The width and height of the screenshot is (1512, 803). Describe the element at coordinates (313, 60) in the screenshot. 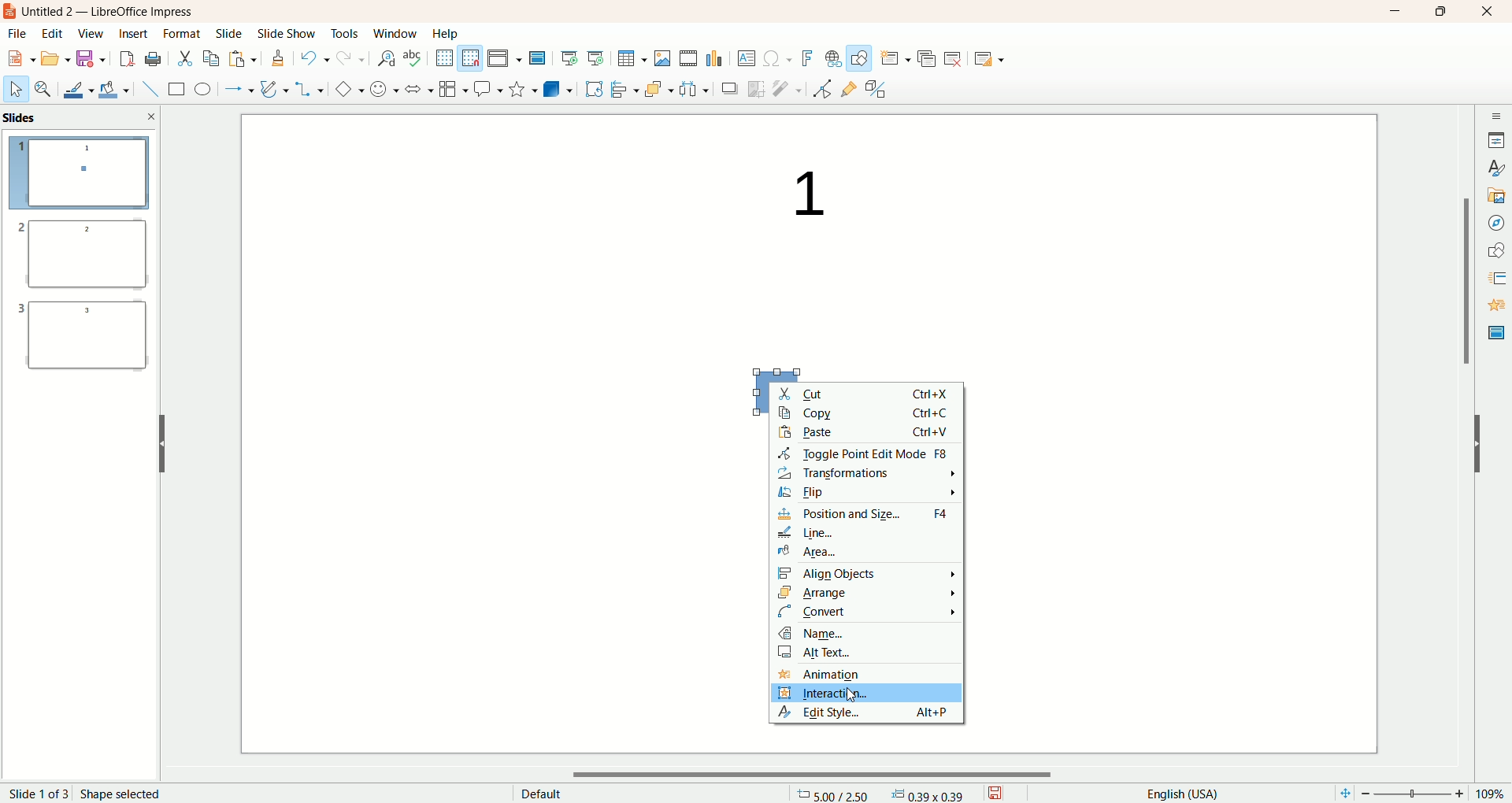

I see `undo` at that location.